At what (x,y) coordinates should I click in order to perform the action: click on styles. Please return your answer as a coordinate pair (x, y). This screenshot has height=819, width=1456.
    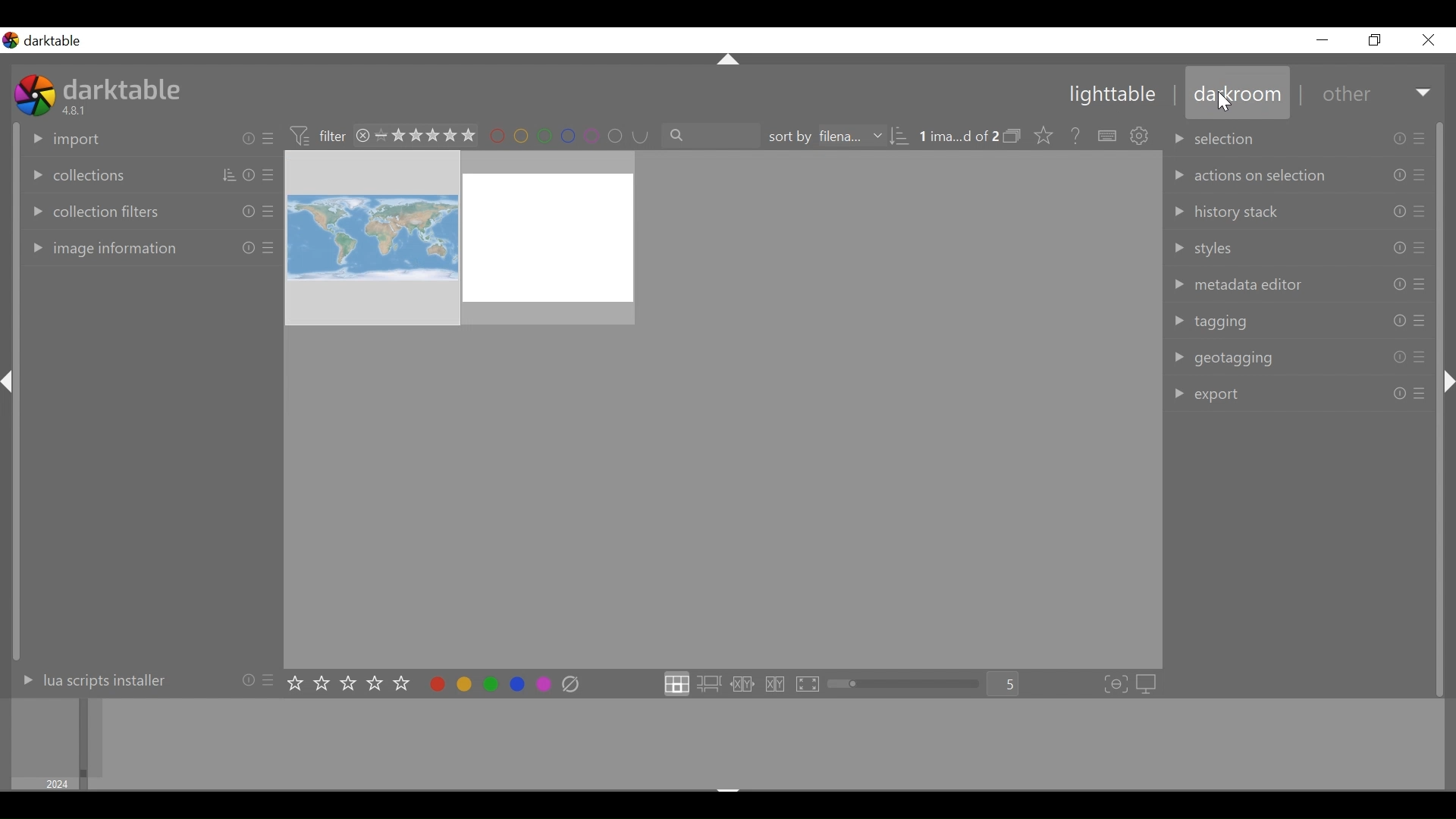
    Looking at the image, I should click on (1296, 245).